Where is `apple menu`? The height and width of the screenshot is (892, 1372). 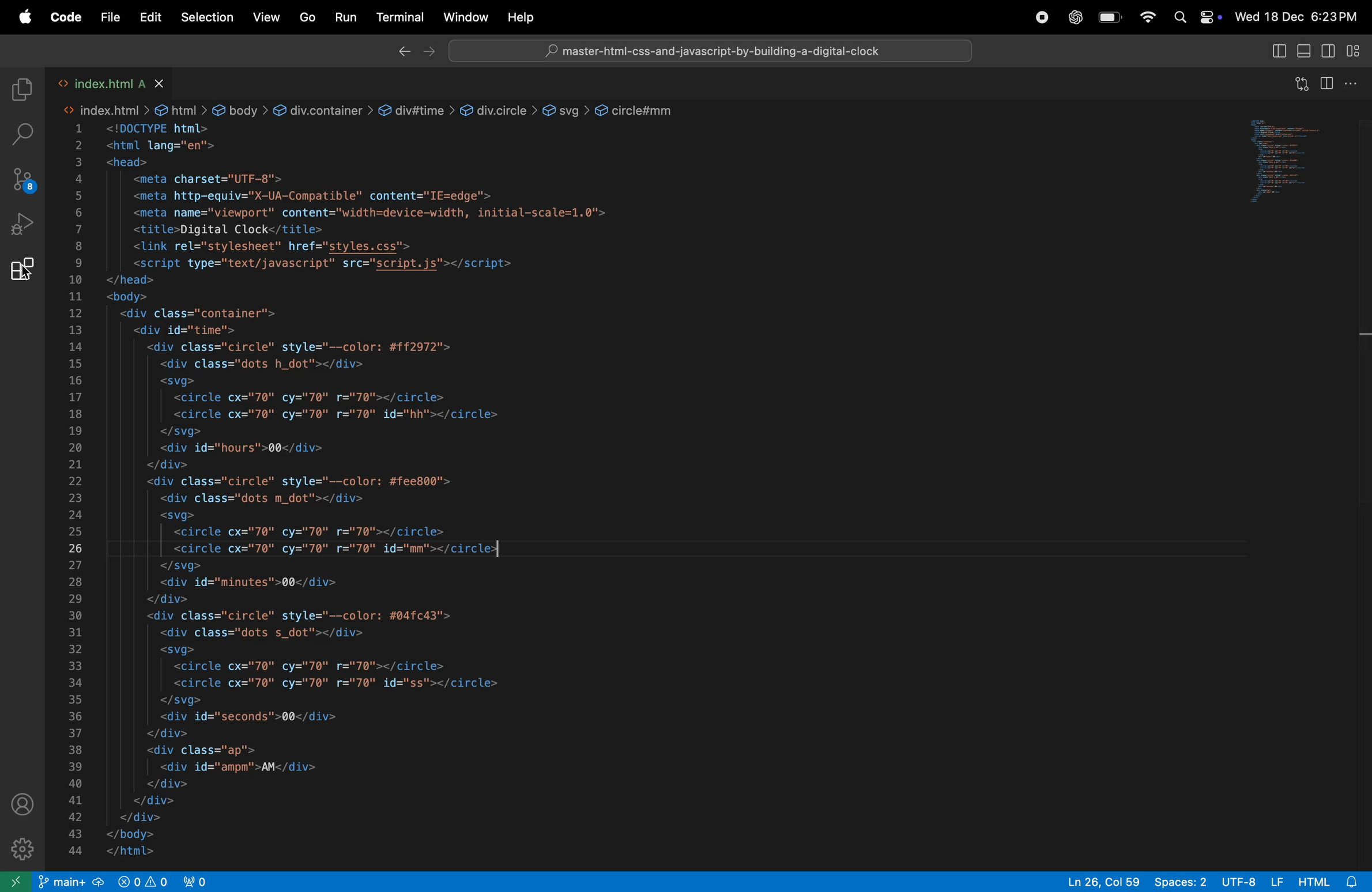 apple menu is located at coordinates (21, 17).